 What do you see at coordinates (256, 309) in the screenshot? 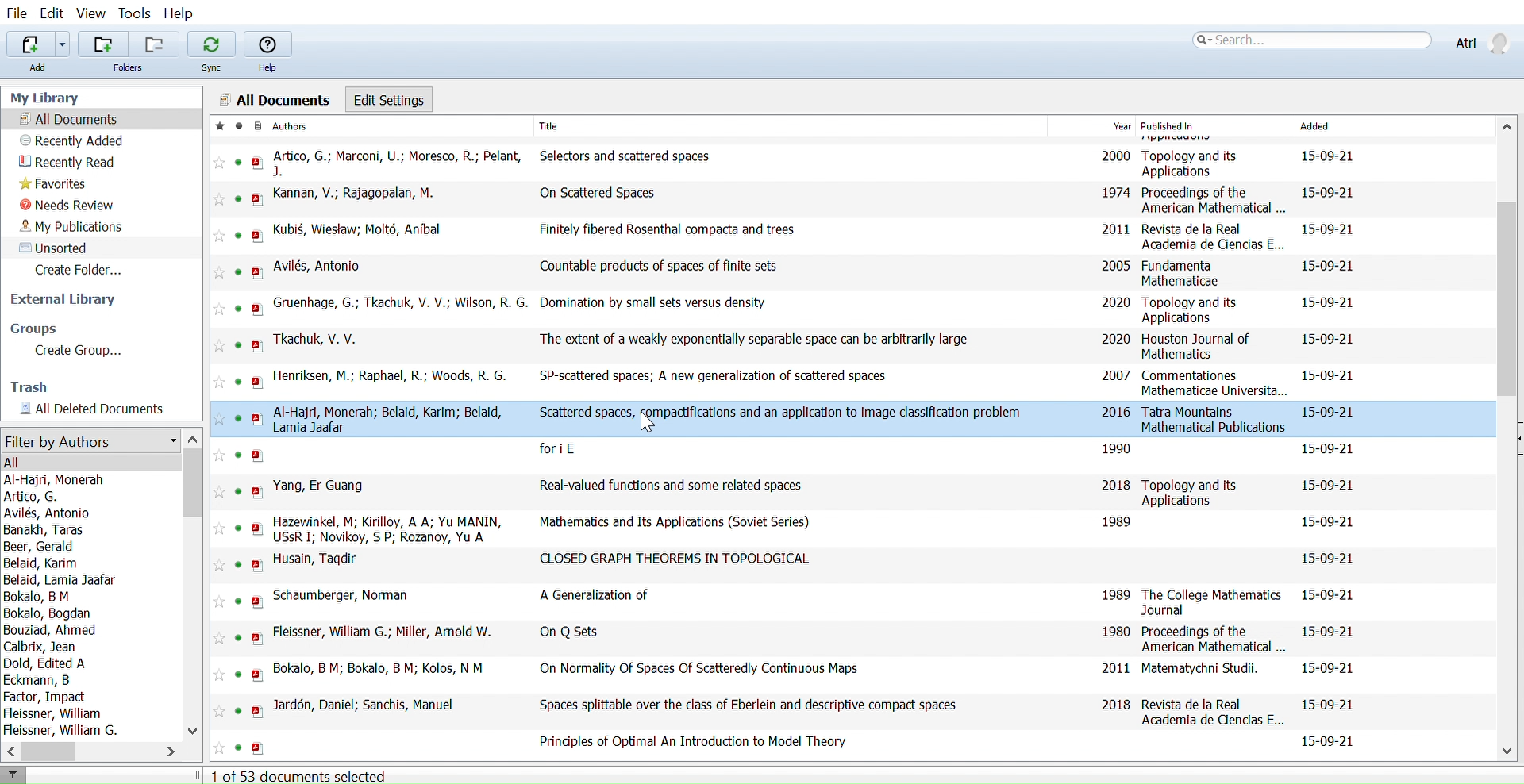
I see `PDF Document` at bounding box center [256, 309].